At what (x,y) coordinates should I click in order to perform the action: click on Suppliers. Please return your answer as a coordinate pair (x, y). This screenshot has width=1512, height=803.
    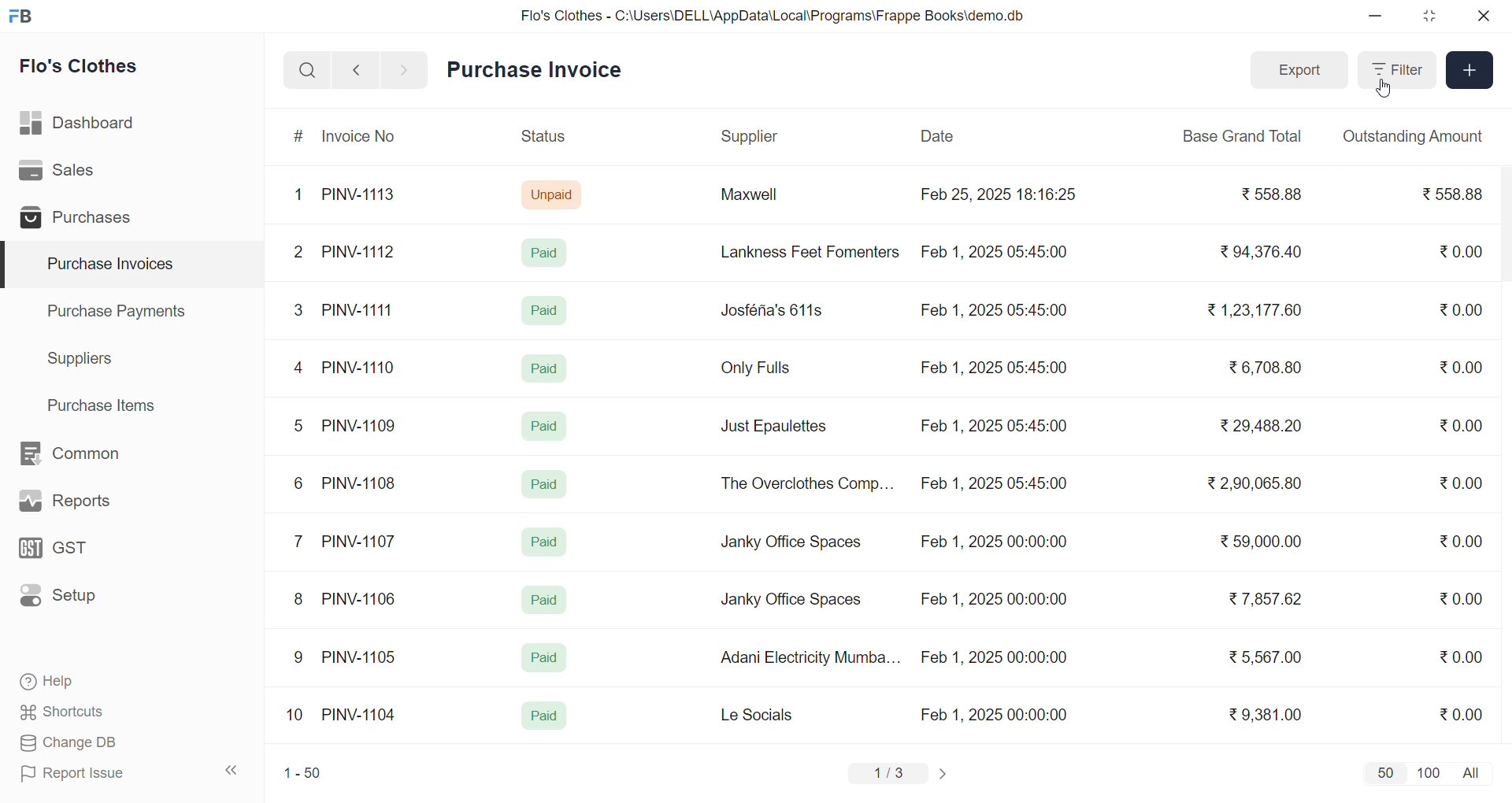
    Looking at the image, I should click on (83, 358).